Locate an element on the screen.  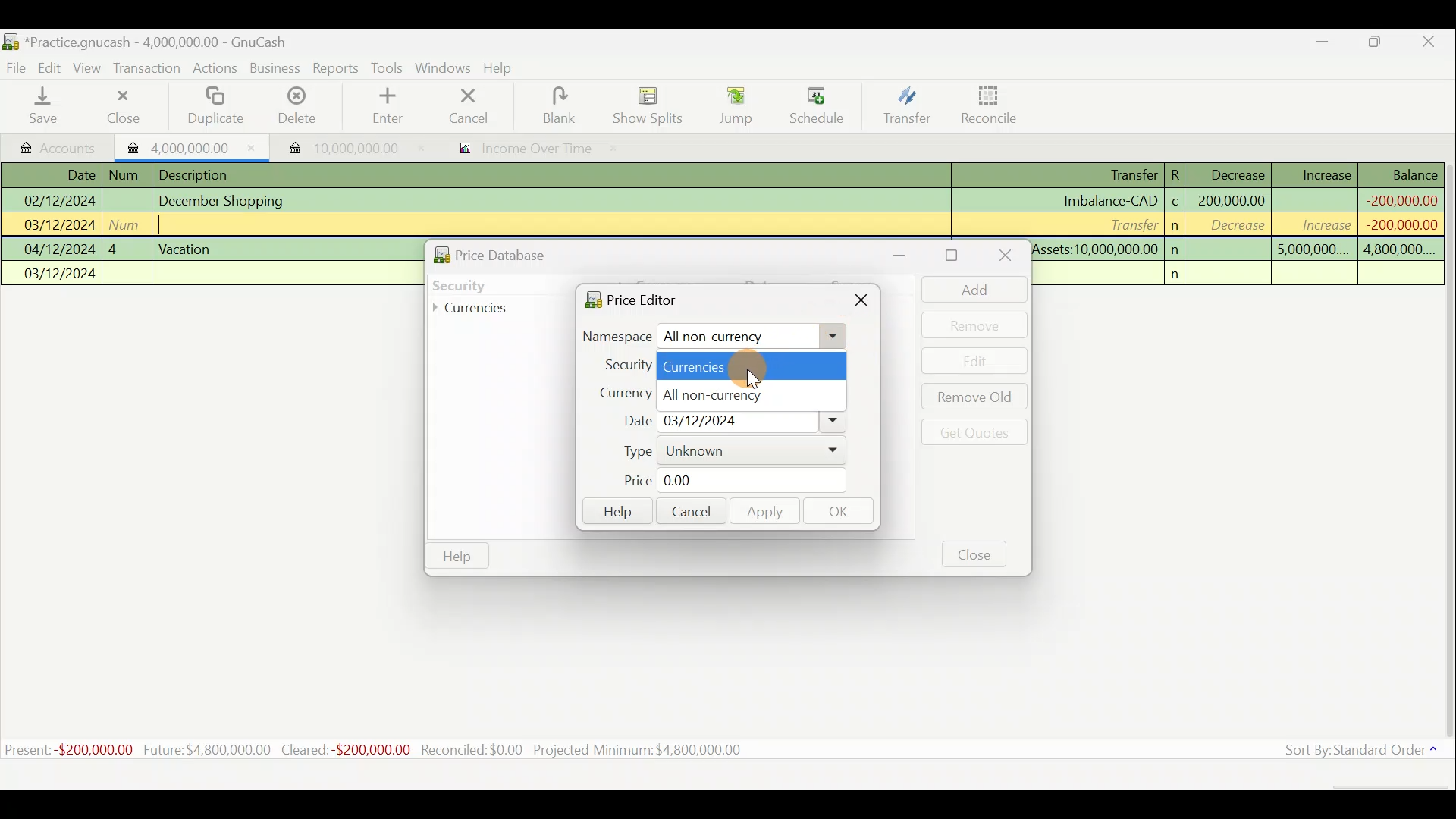
Type is located at coordinates (724, 451).